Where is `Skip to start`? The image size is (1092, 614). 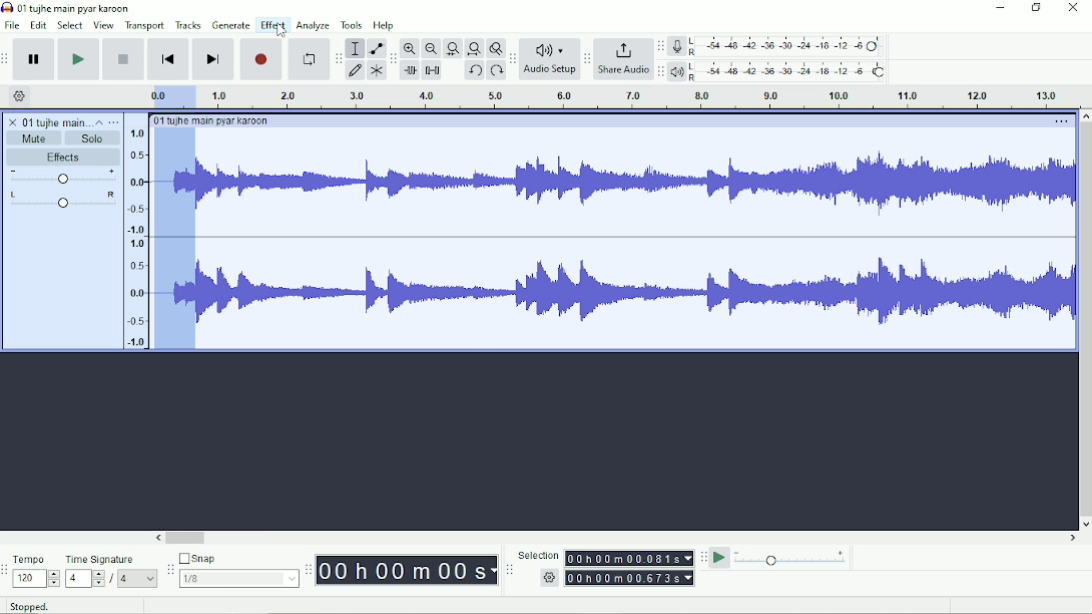 Skip to start is located at coordinates (168, 60).